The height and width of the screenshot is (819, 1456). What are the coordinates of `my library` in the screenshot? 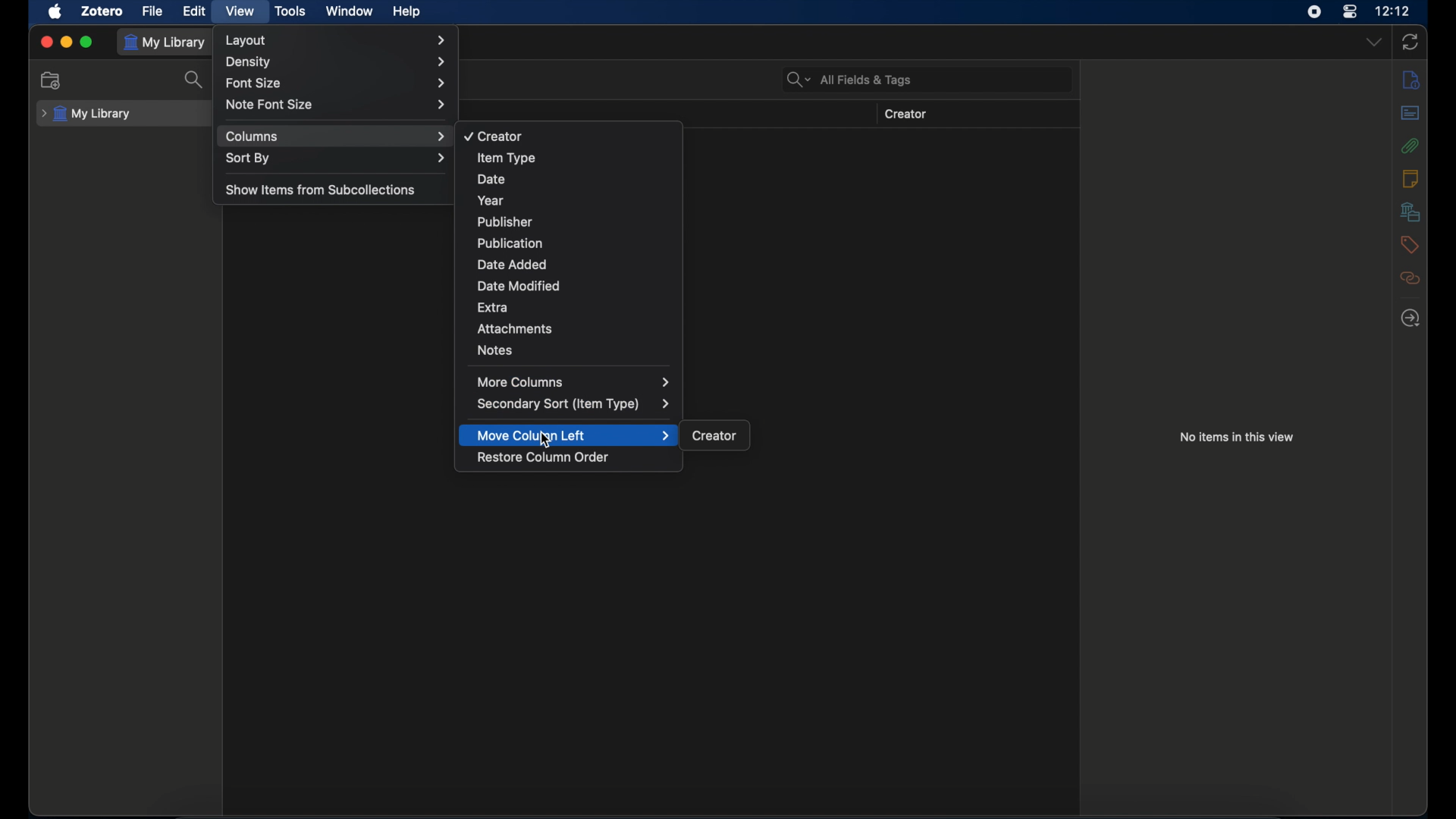 It's located at (167, 42).